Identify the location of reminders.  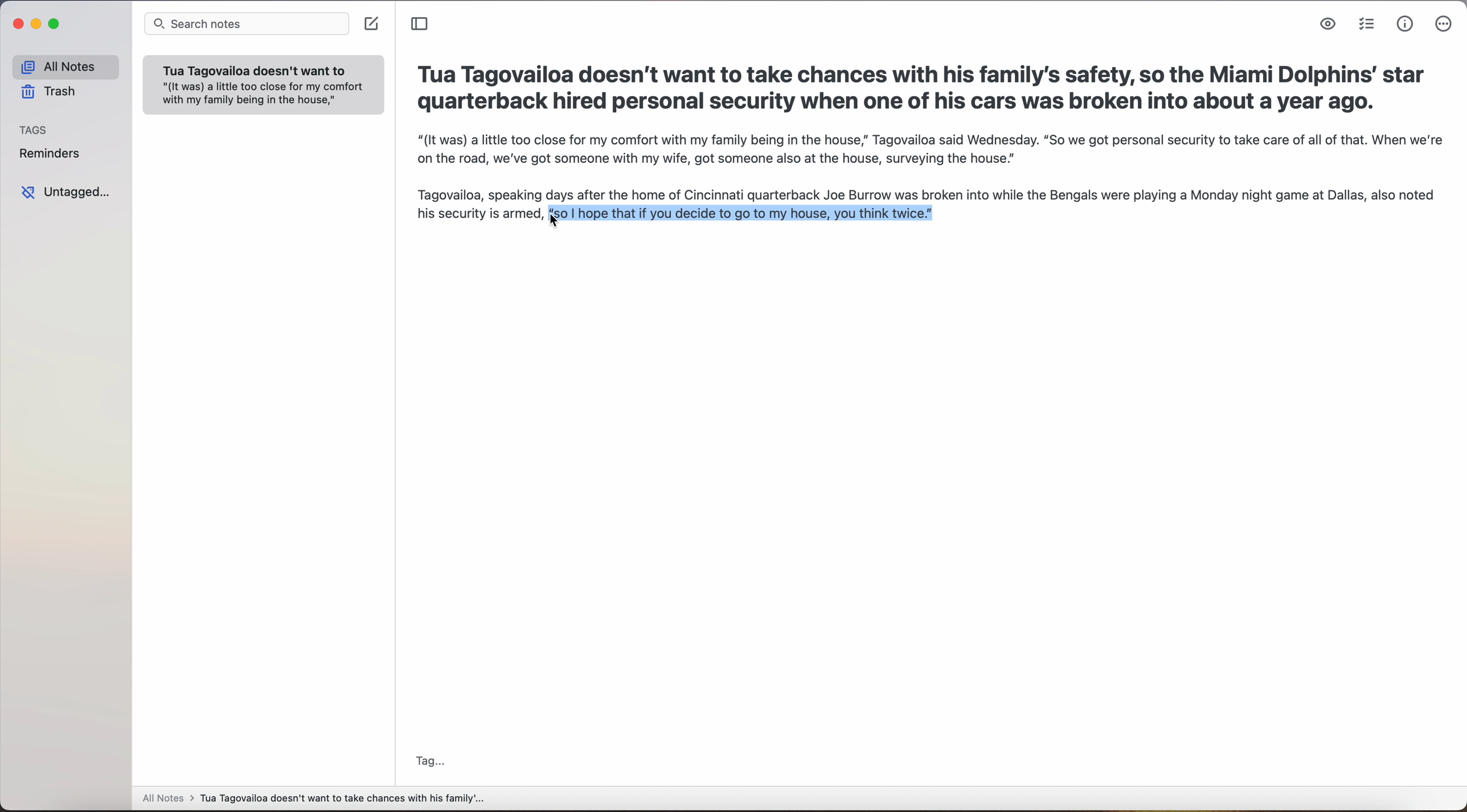
(52, 154).